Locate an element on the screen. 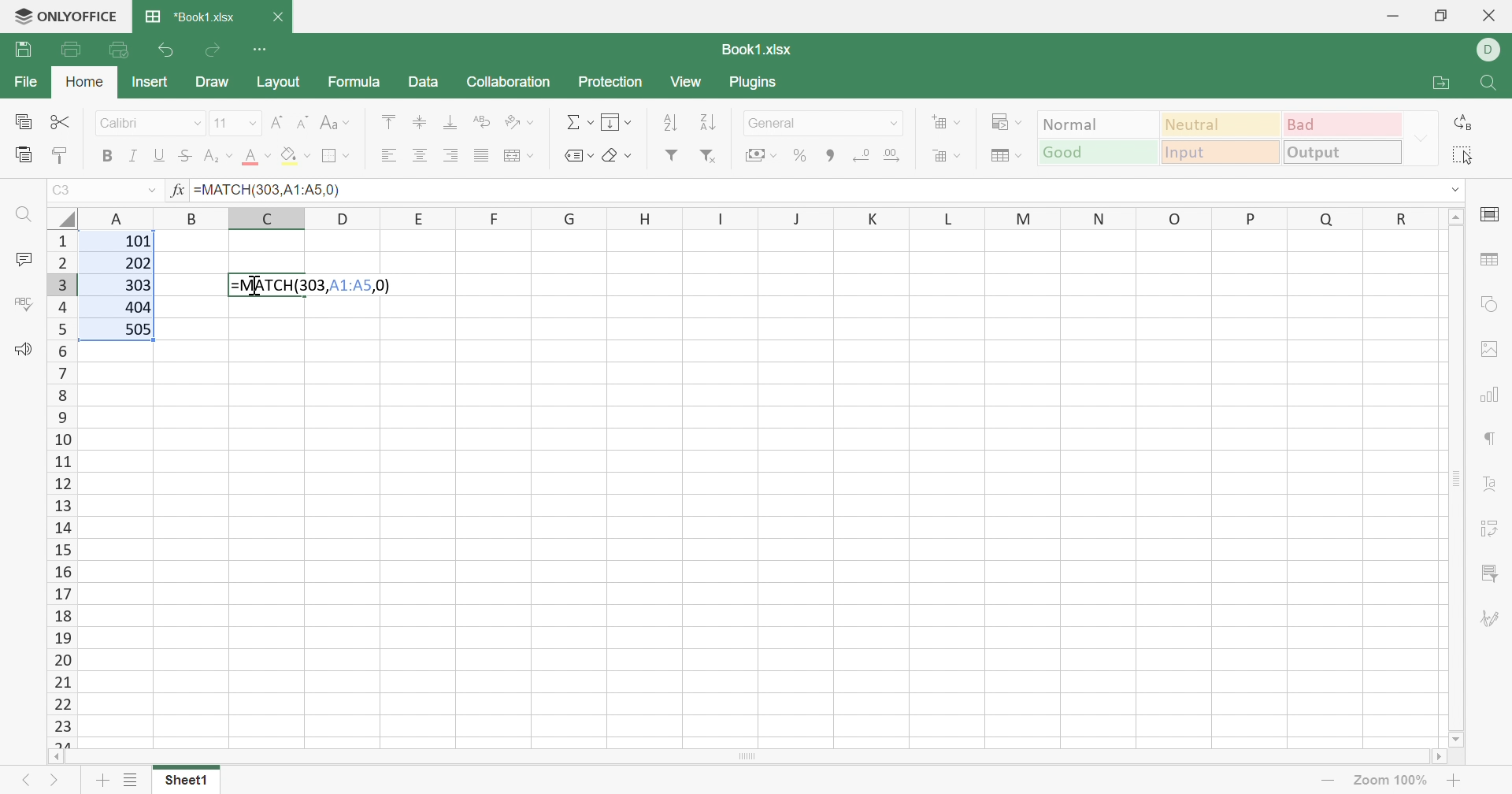 The height and width of the screenshot is (794, 1512). Summation is located at coordinates (579, 118).